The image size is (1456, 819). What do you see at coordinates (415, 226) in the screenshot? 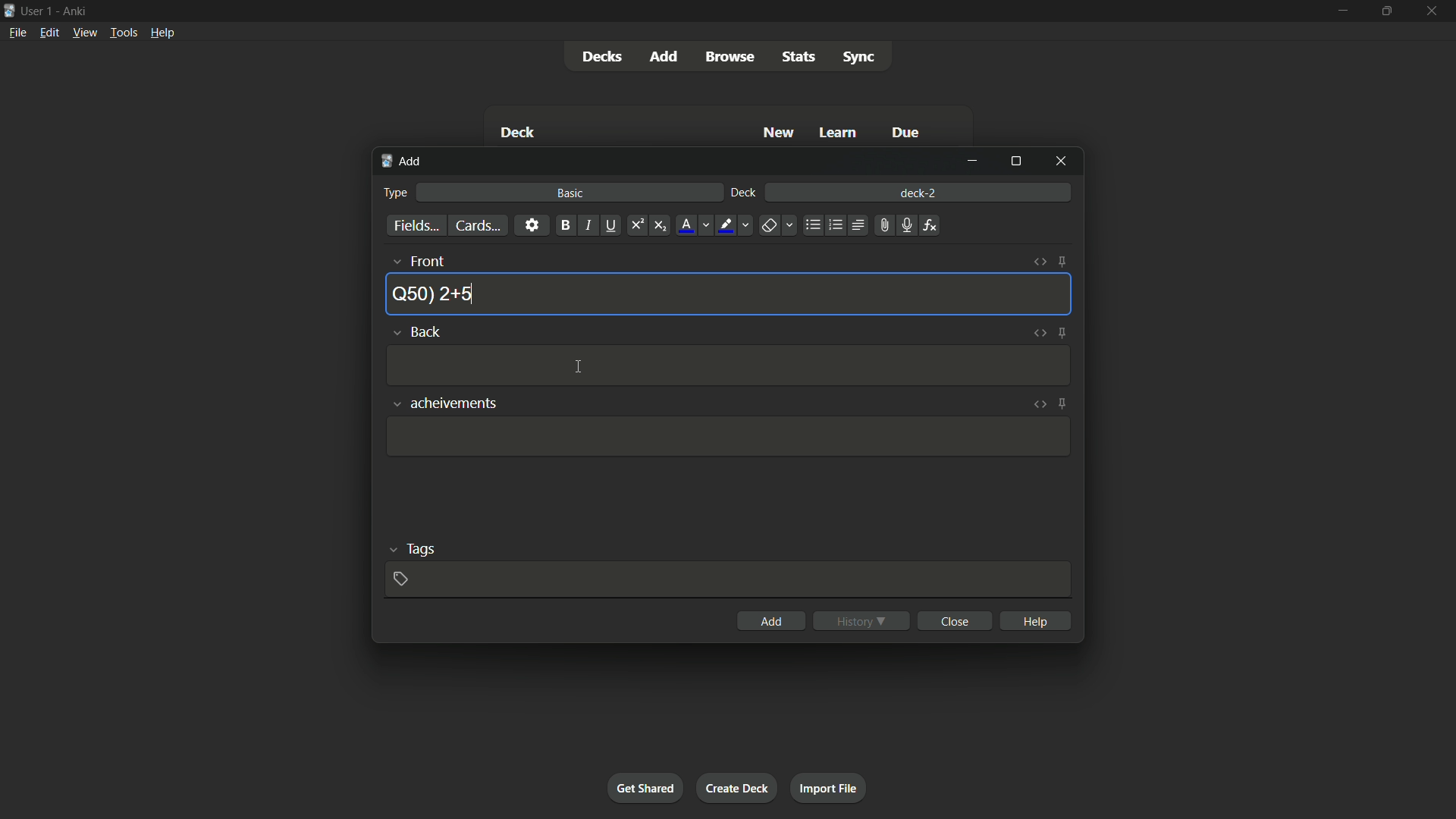
I see `fields` at bounding box center [415, 226].